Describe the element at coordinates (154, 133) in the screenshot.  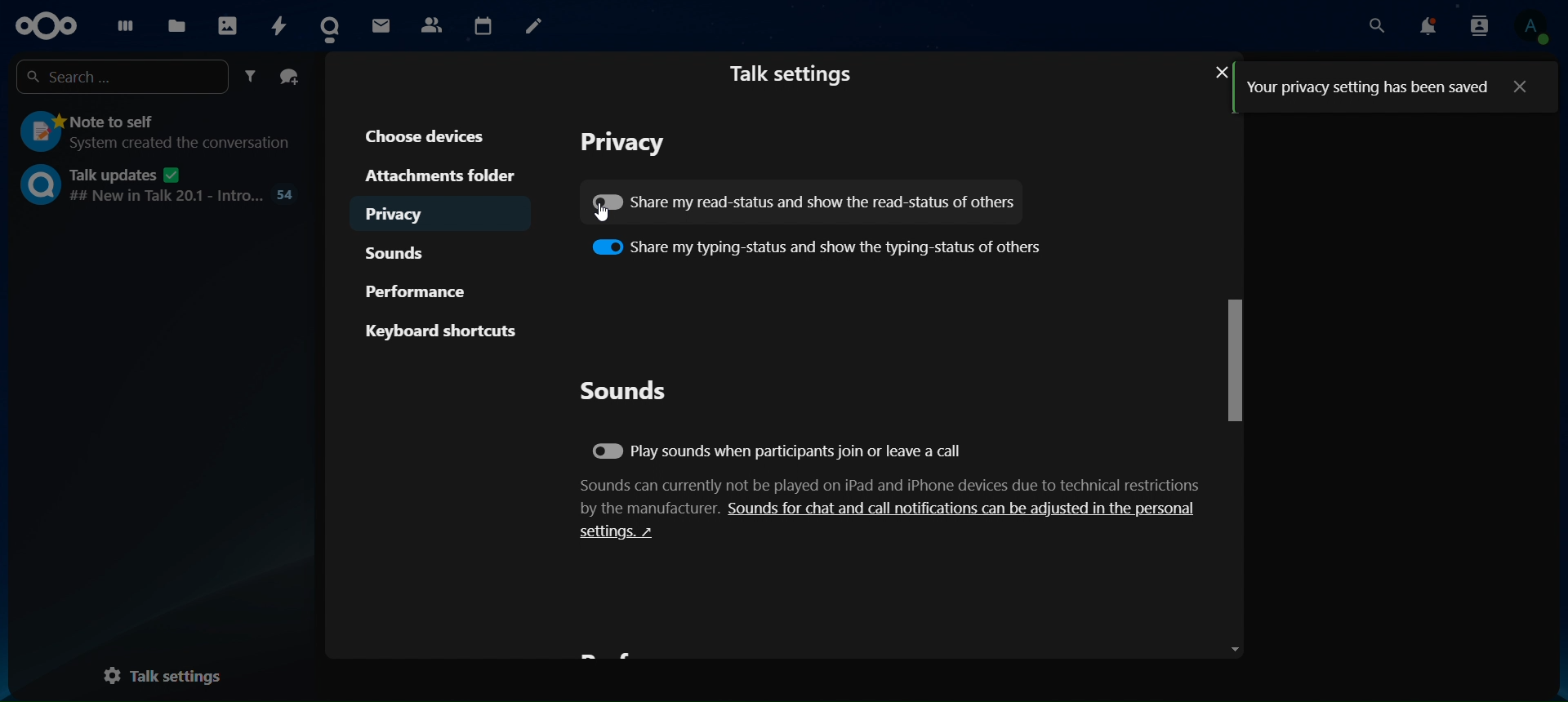
I see `note to self` at that location.